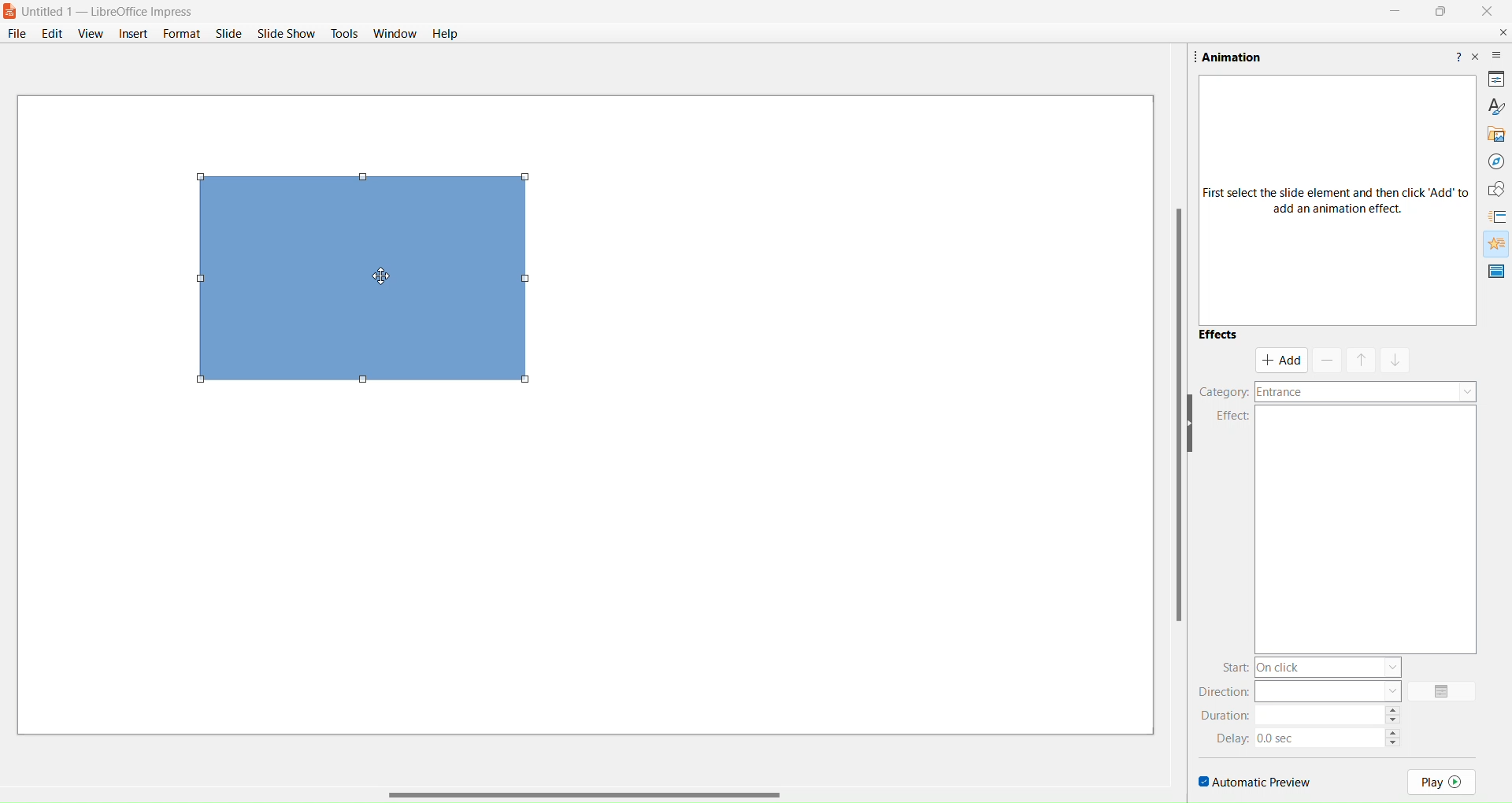 The width and height of the screenshot is (1512, 803). What do you see at coordinates (1329, 690) in the screenshot?
I see `direction type` at bounding box center [1329, 690].